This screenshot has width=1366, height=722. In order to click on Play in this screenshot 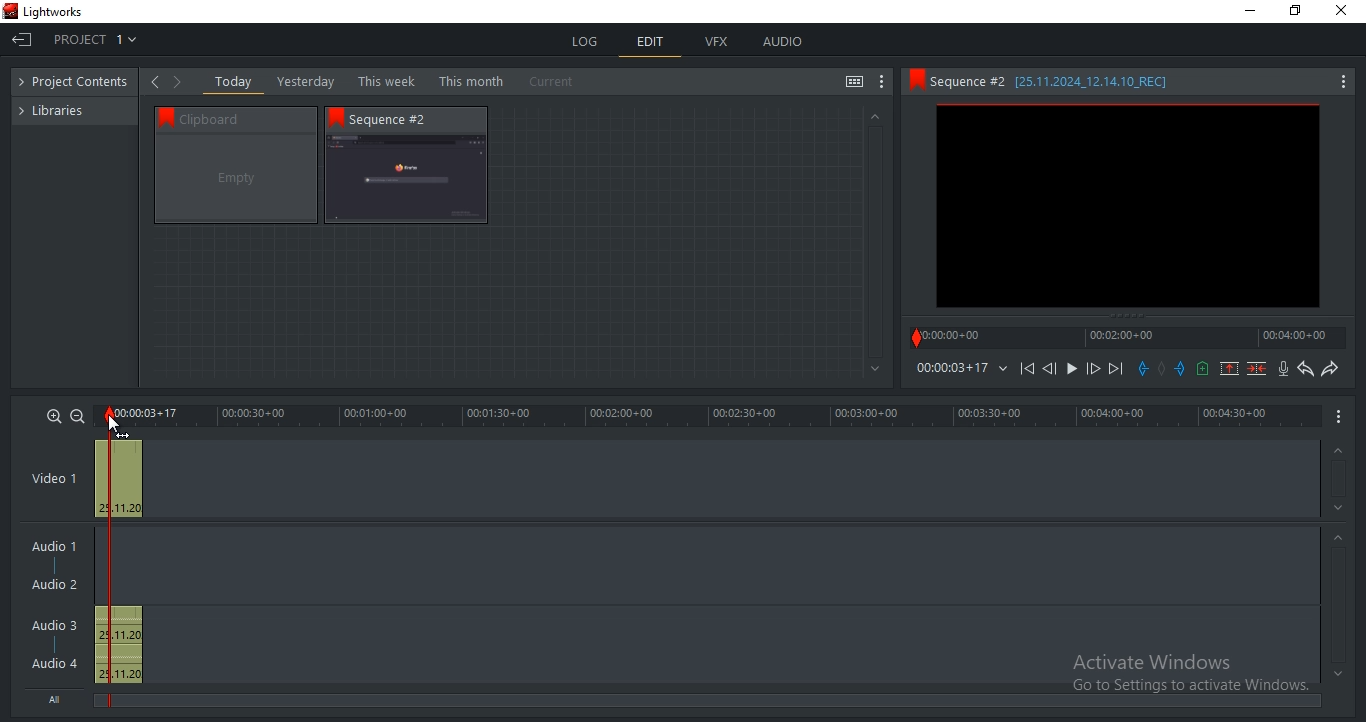, I will do `click(1072, 369)`.